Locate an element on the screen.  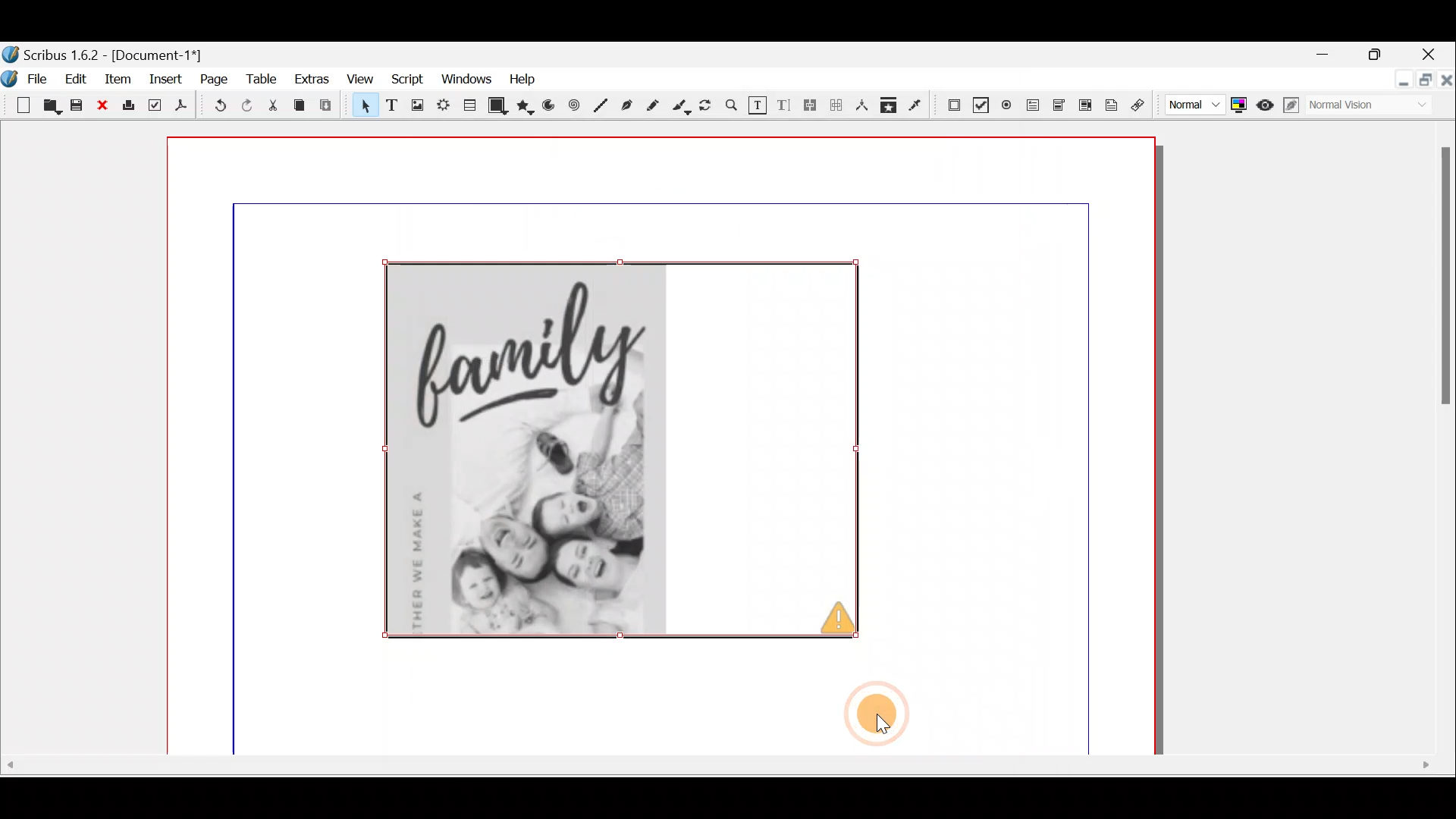
Measurements is located at coordinates (861, 104).